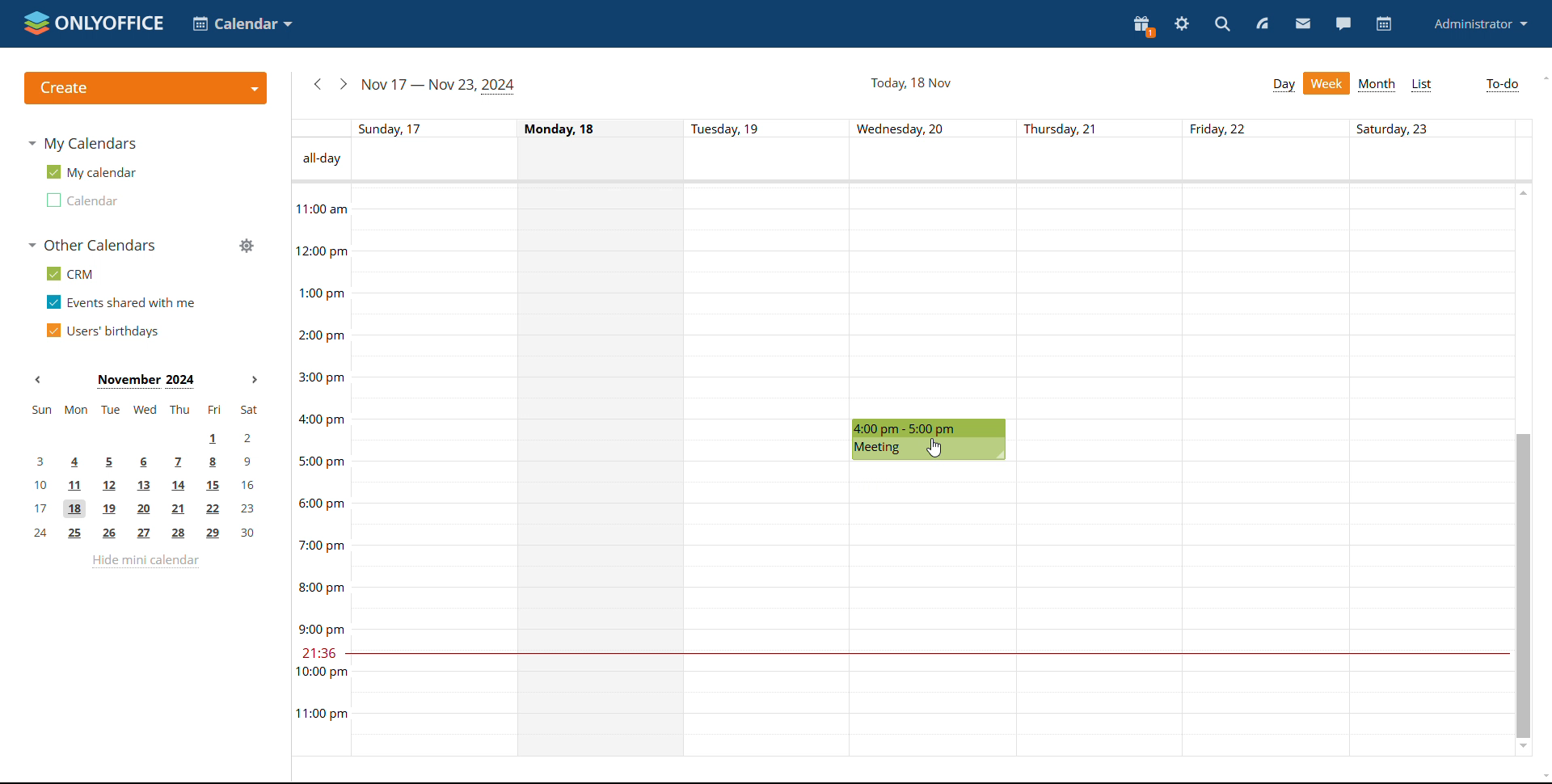 This screenshot has width=1552, height=784. What do you see at coordinates (1183, 23) in the screenshot?
I see `settings` at bounding box center [1183, 23].